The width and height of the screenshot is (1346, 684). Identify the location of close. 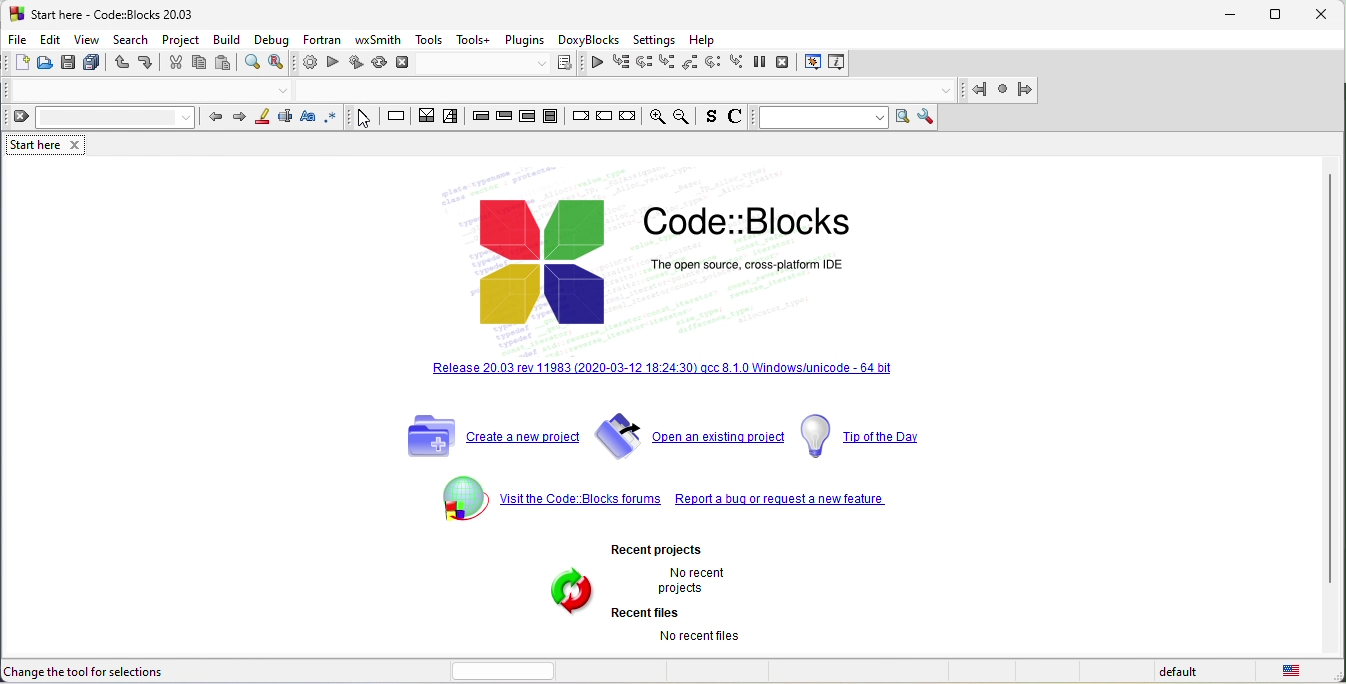
(74, 146).